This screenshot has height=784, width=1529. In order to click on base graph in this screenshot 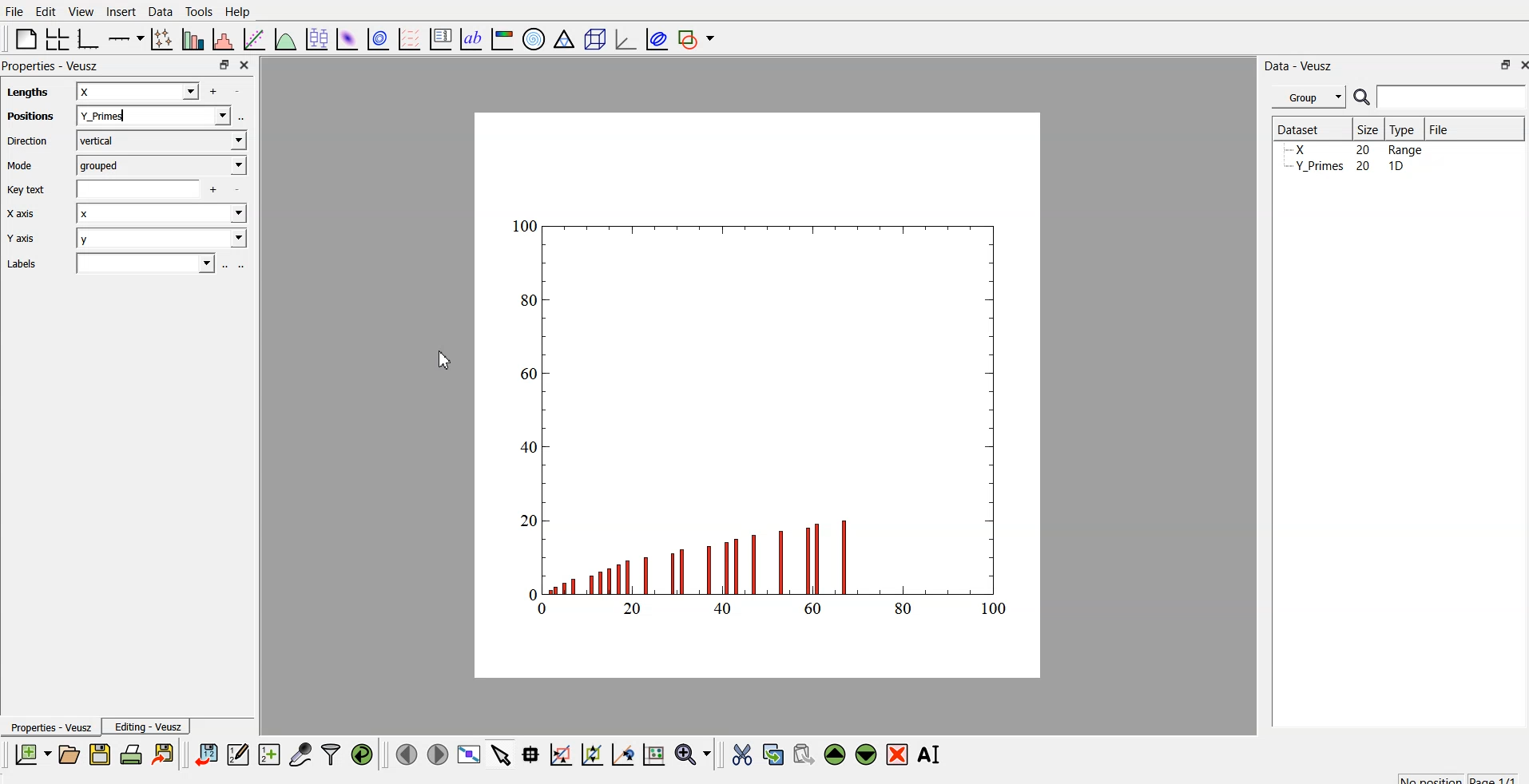, I will do `click(85, 37)`.